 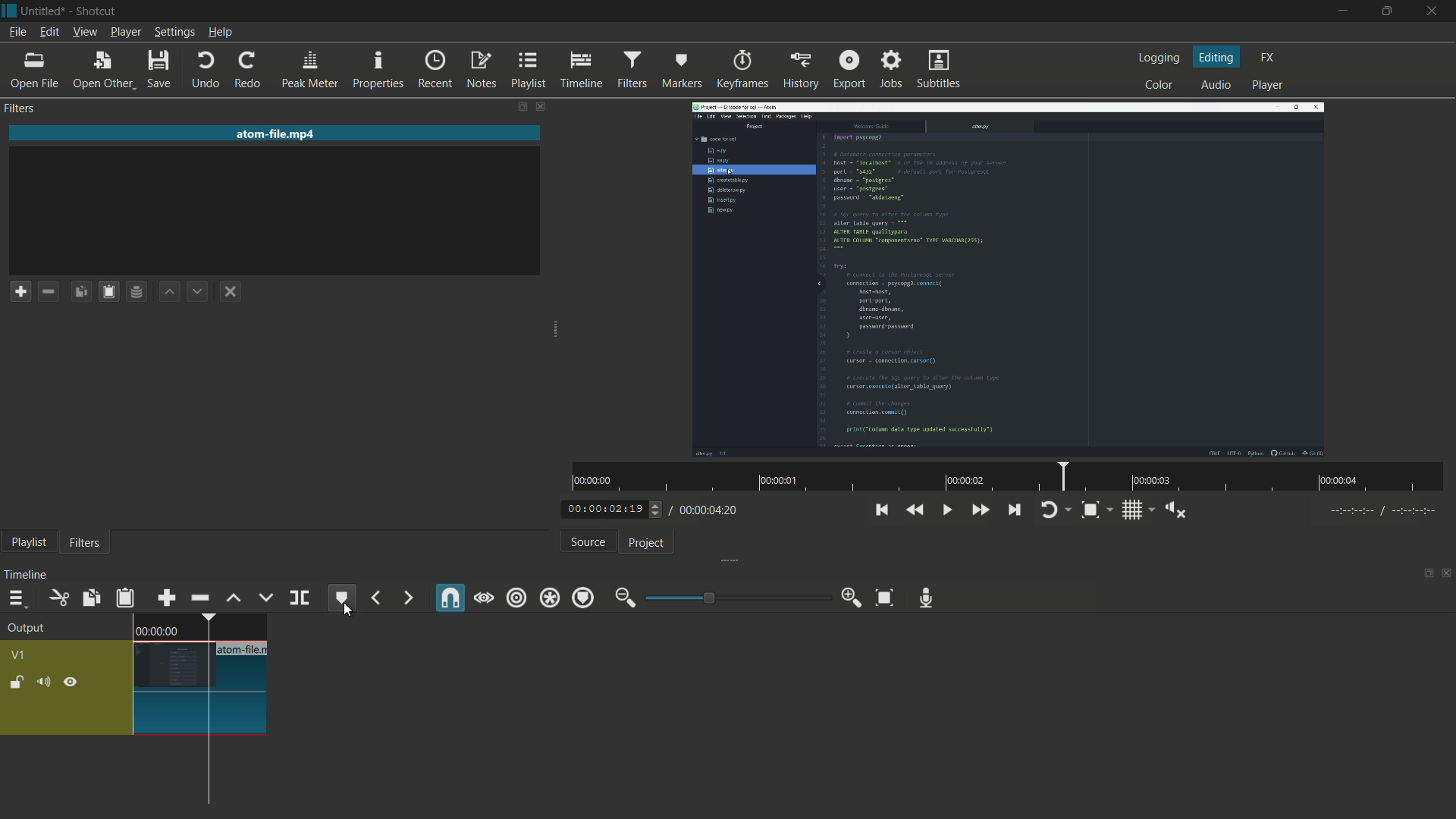 What do you see at coordinates (1267, 58) in the screenshot?
I see `fx` at bounding box center [1267, 58].